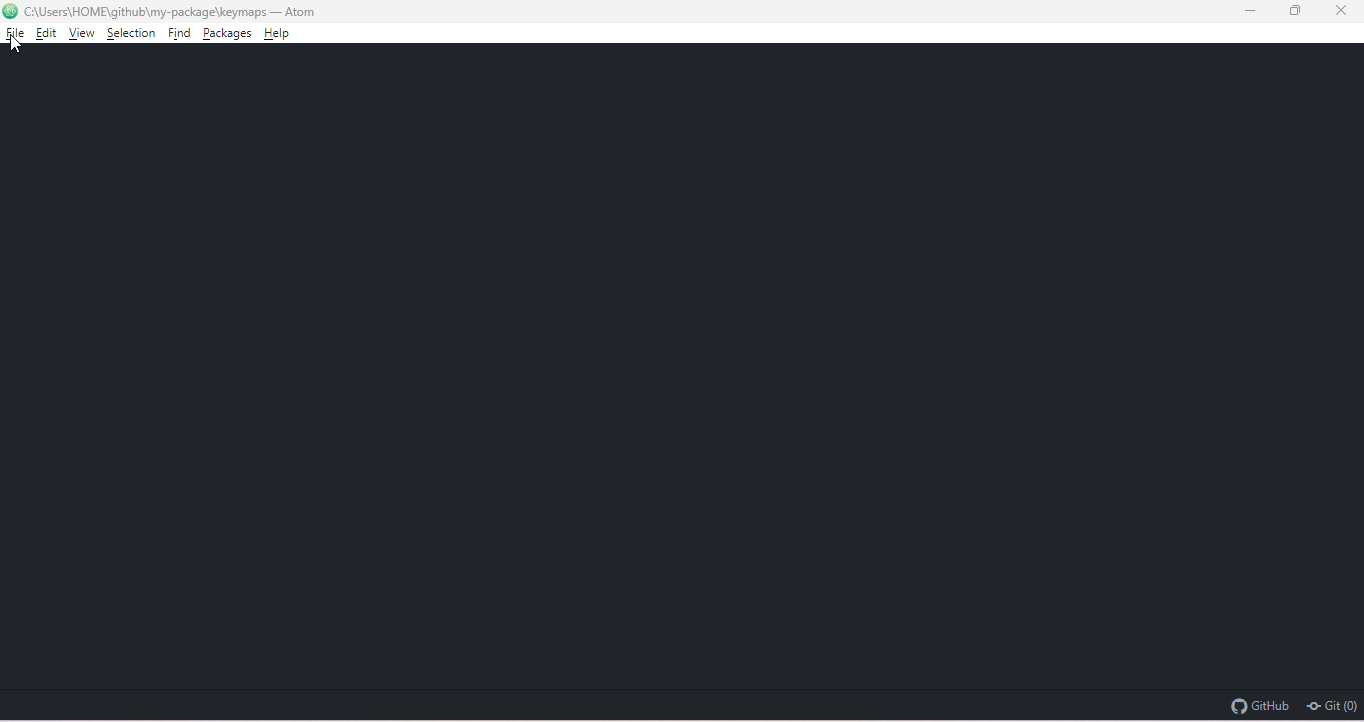 The width and height of the screenshot is (1364, 722). What do you see at coordinates (86, 35) in the screenshot?
I see `view` at bounding box center [86, 35].